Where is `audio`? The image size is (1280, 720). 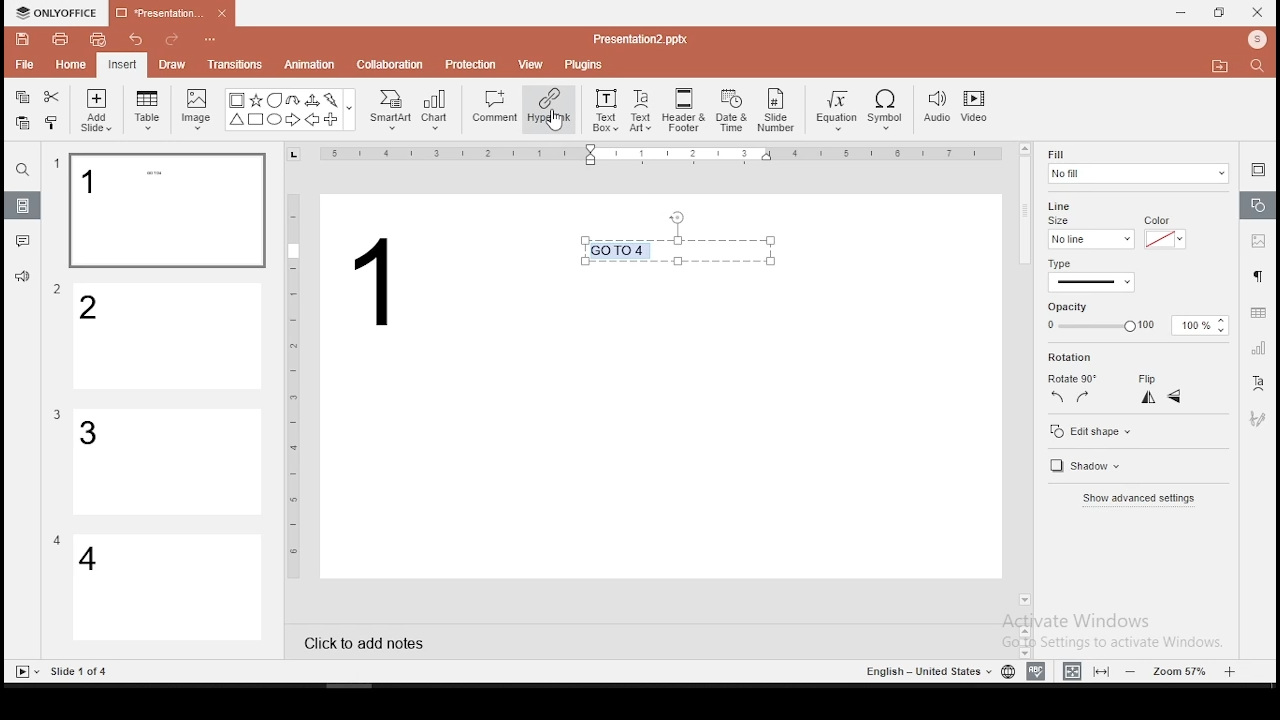
audio is located at coordinates (937, 108).